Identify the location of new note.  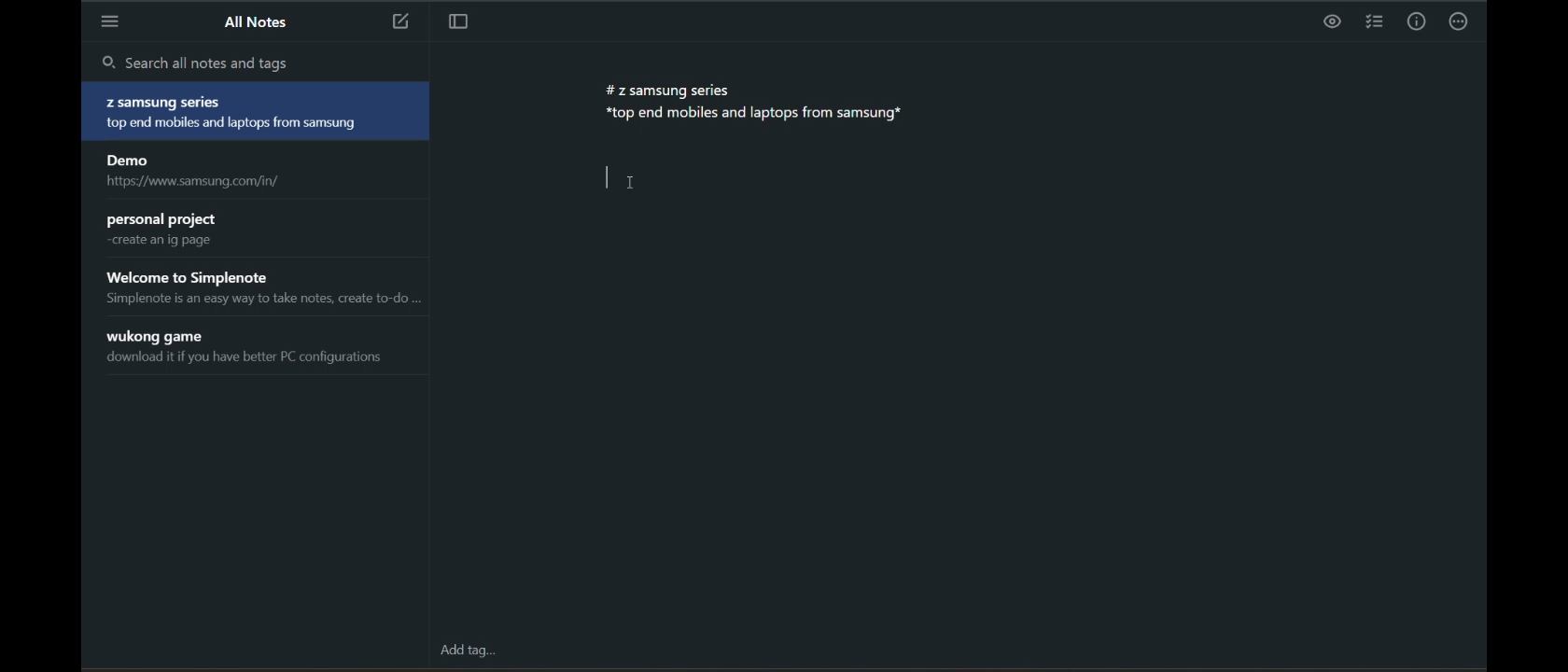
(398, 23).